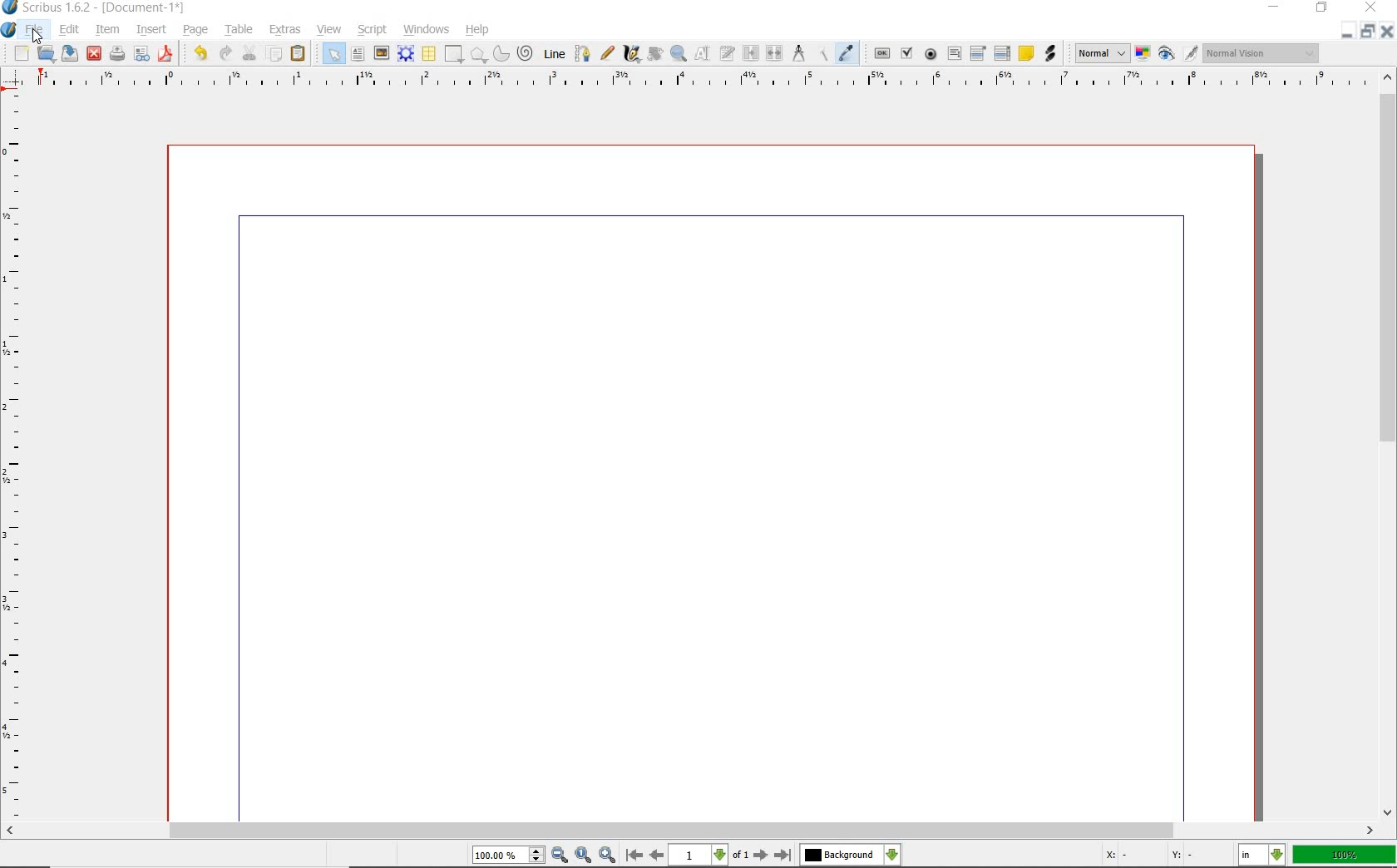 Image resolution: width=1397 pixels, height=868 pixels. Describe the element at coordinates (1026, 53) in the screenshot. I see `text annotation` at that location.